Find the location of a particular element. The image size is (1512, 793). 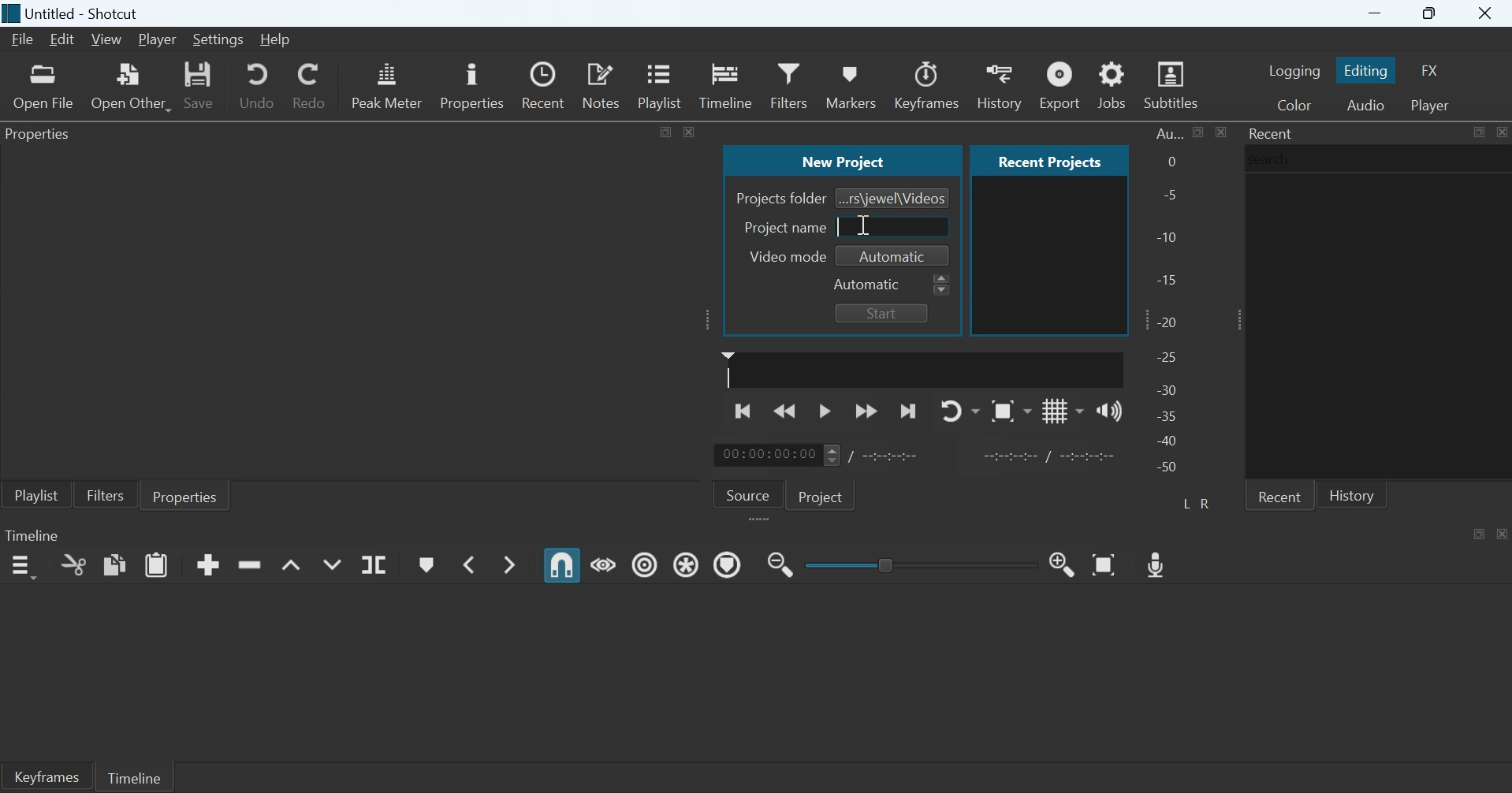

Scroll buttons is located at coordinates (831, 455).